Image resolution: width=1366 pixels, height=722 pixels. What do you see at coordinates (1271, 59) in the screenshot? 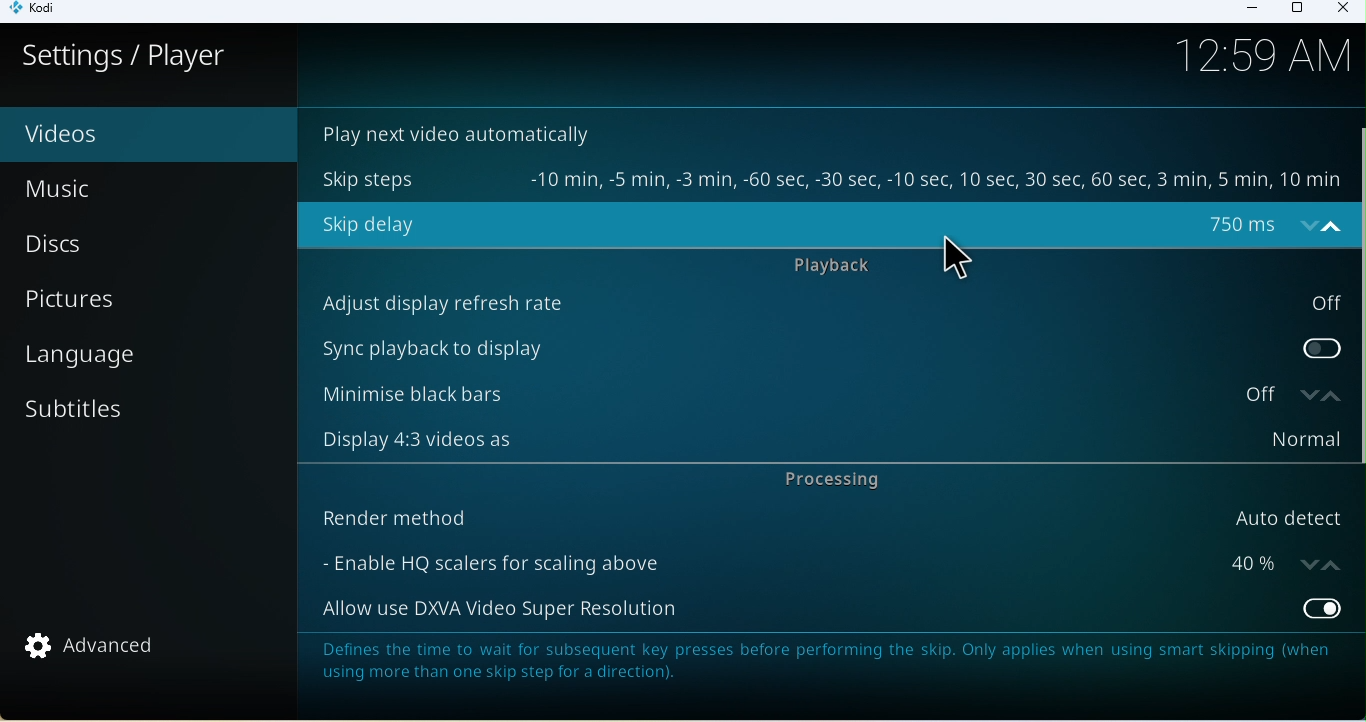
I see `12.59 Am` at bounding box center [1271, 59].